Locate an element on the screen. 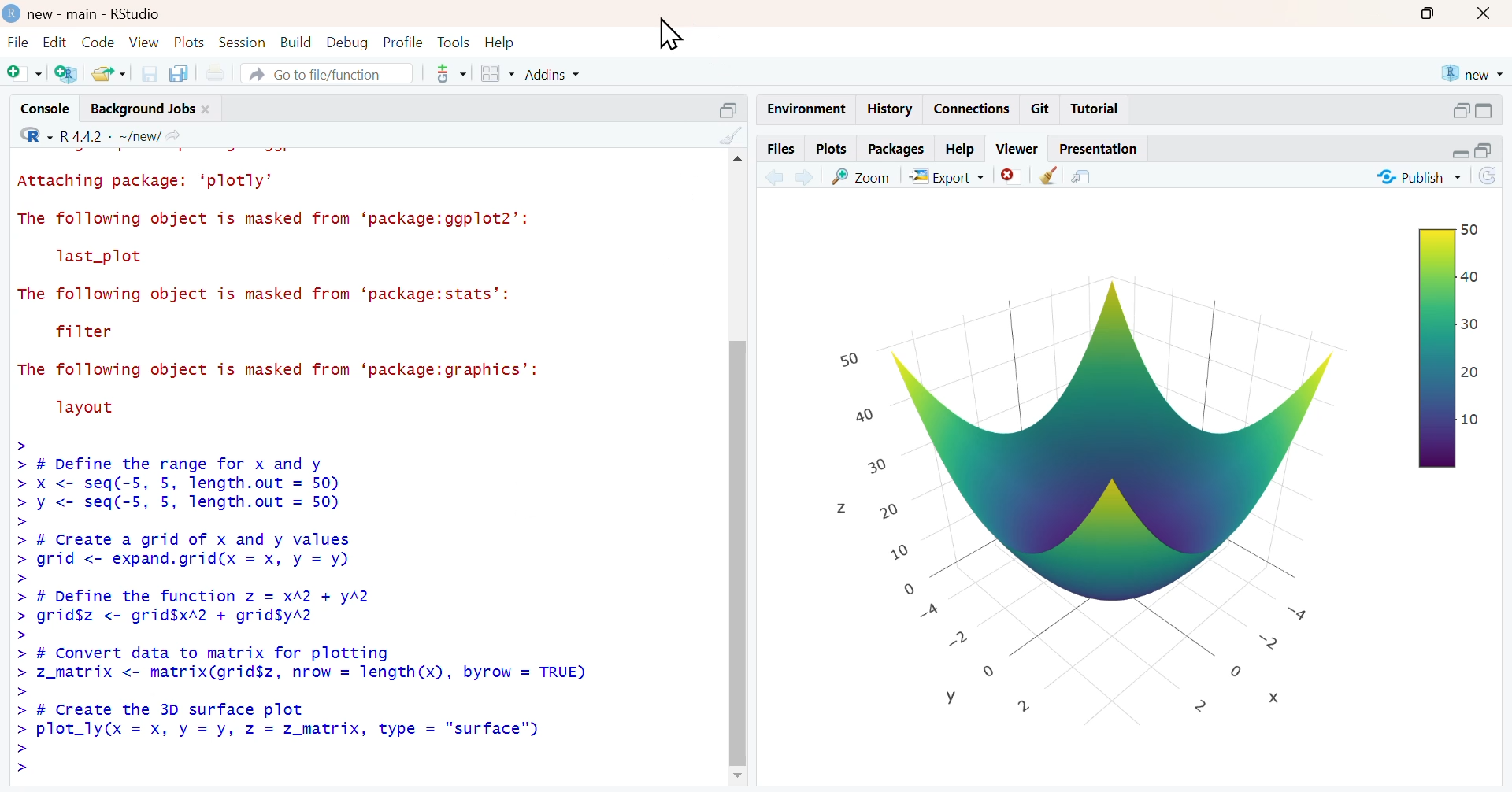 The height and width of the screenshot is (792, 1512). close is located at coordinates (210, 108).